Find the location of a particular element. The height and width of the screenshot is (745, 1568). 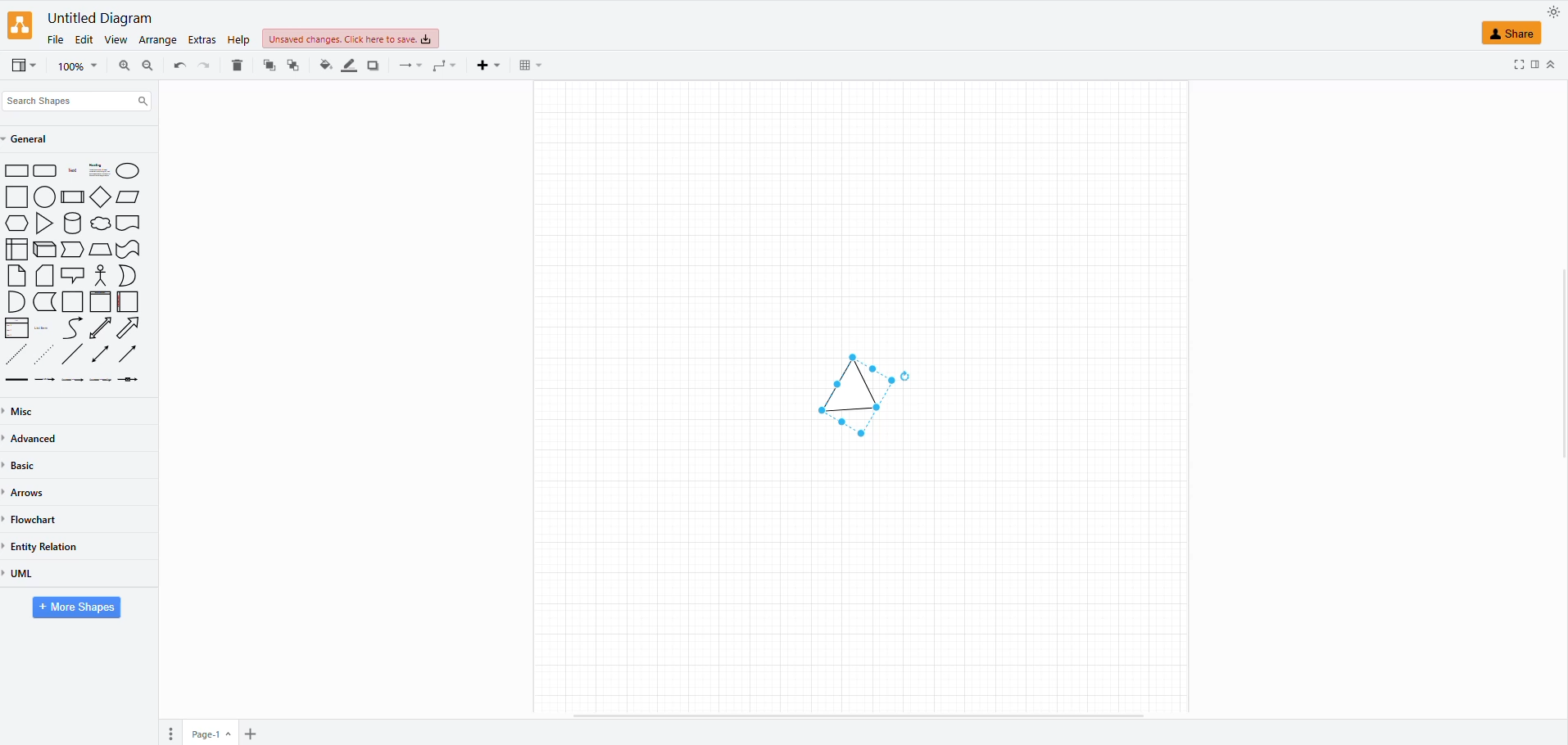

Line is located at coordinates (74, 354).